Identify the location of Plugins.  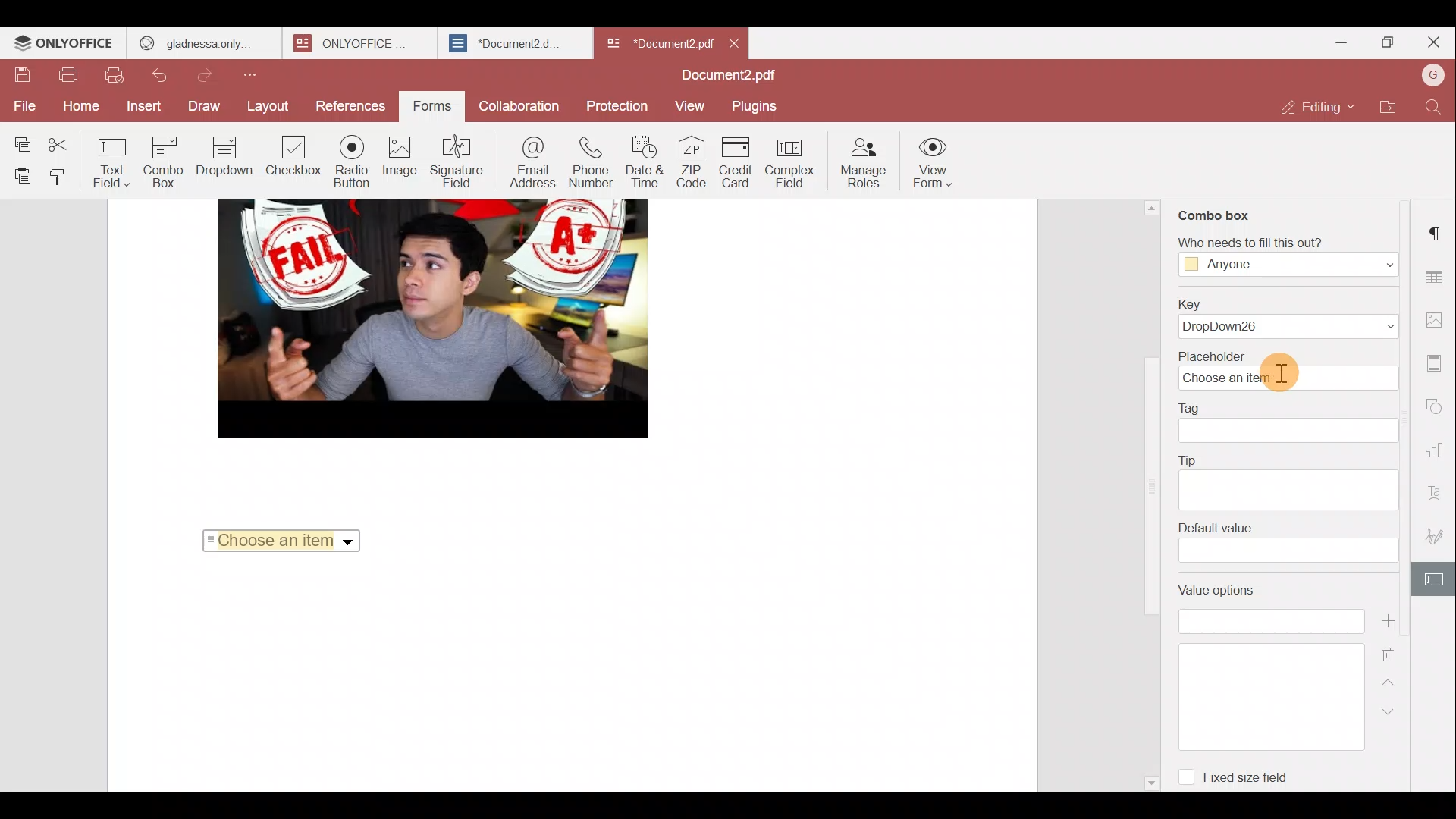
(757, 106).